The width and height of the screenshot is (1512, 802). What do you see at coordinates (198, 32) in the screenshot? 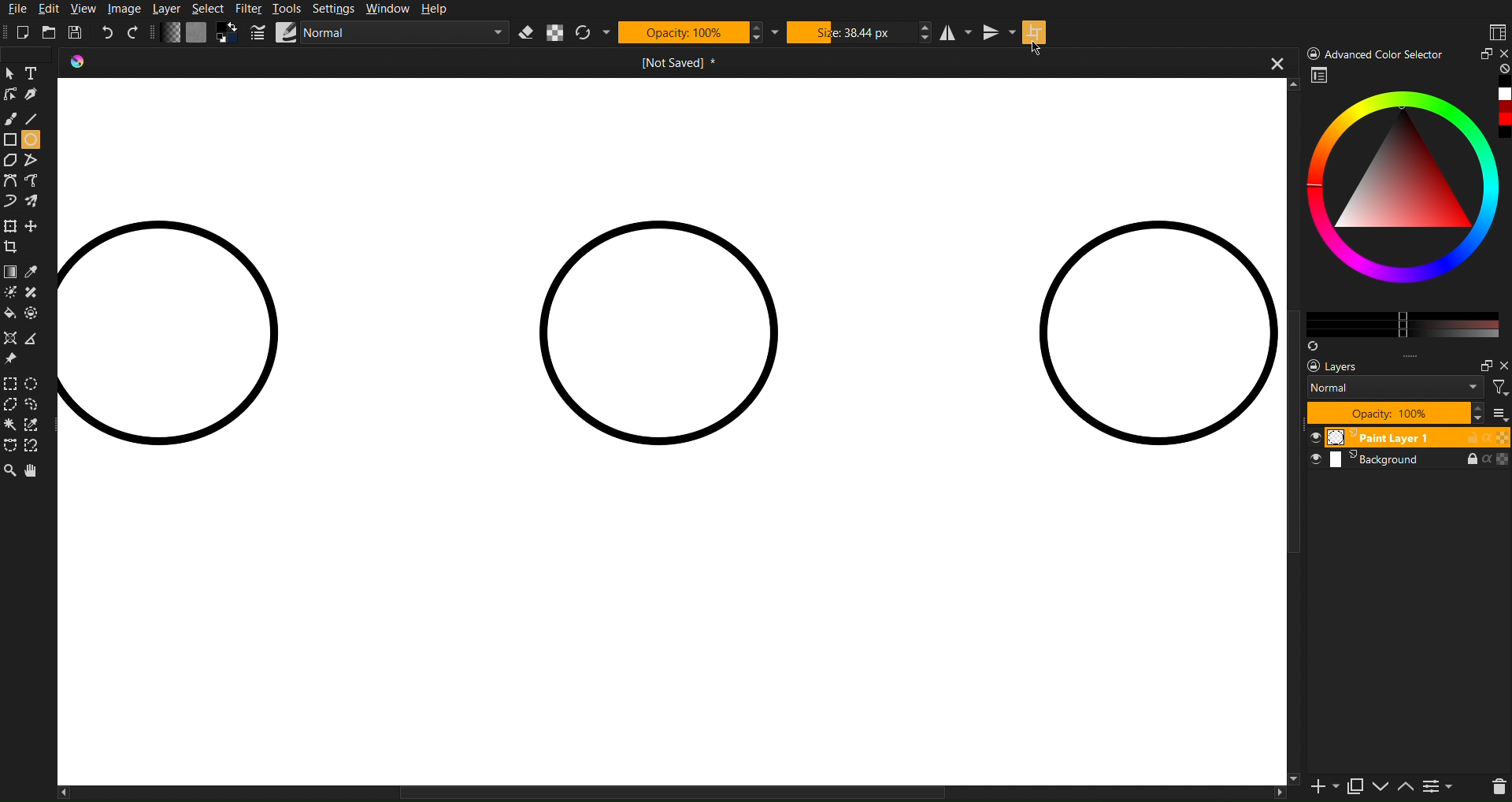
I see `Color Settings` at bounding box center [198, 32].